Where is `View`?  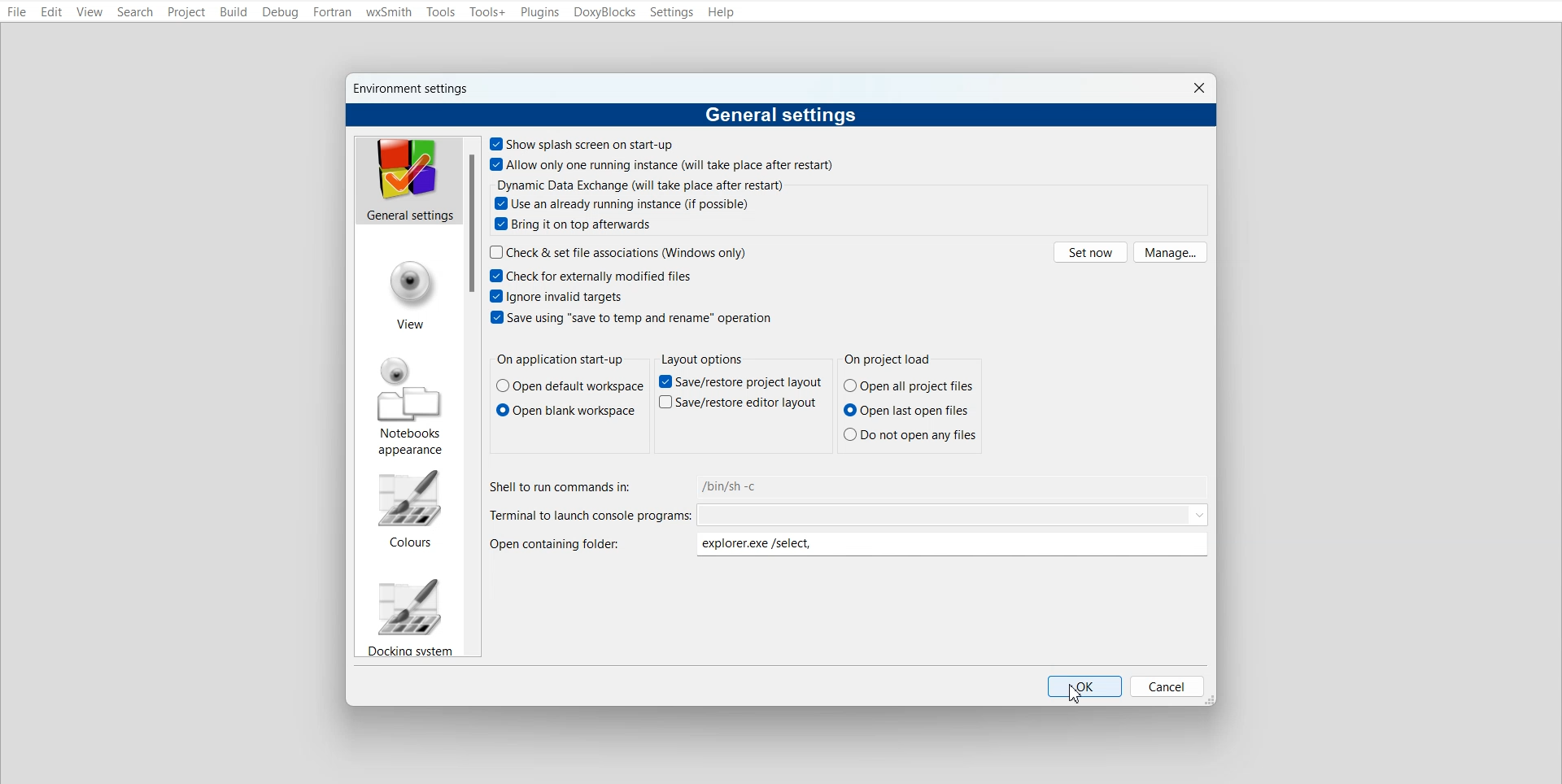 View is located at coordinates (89, 13).